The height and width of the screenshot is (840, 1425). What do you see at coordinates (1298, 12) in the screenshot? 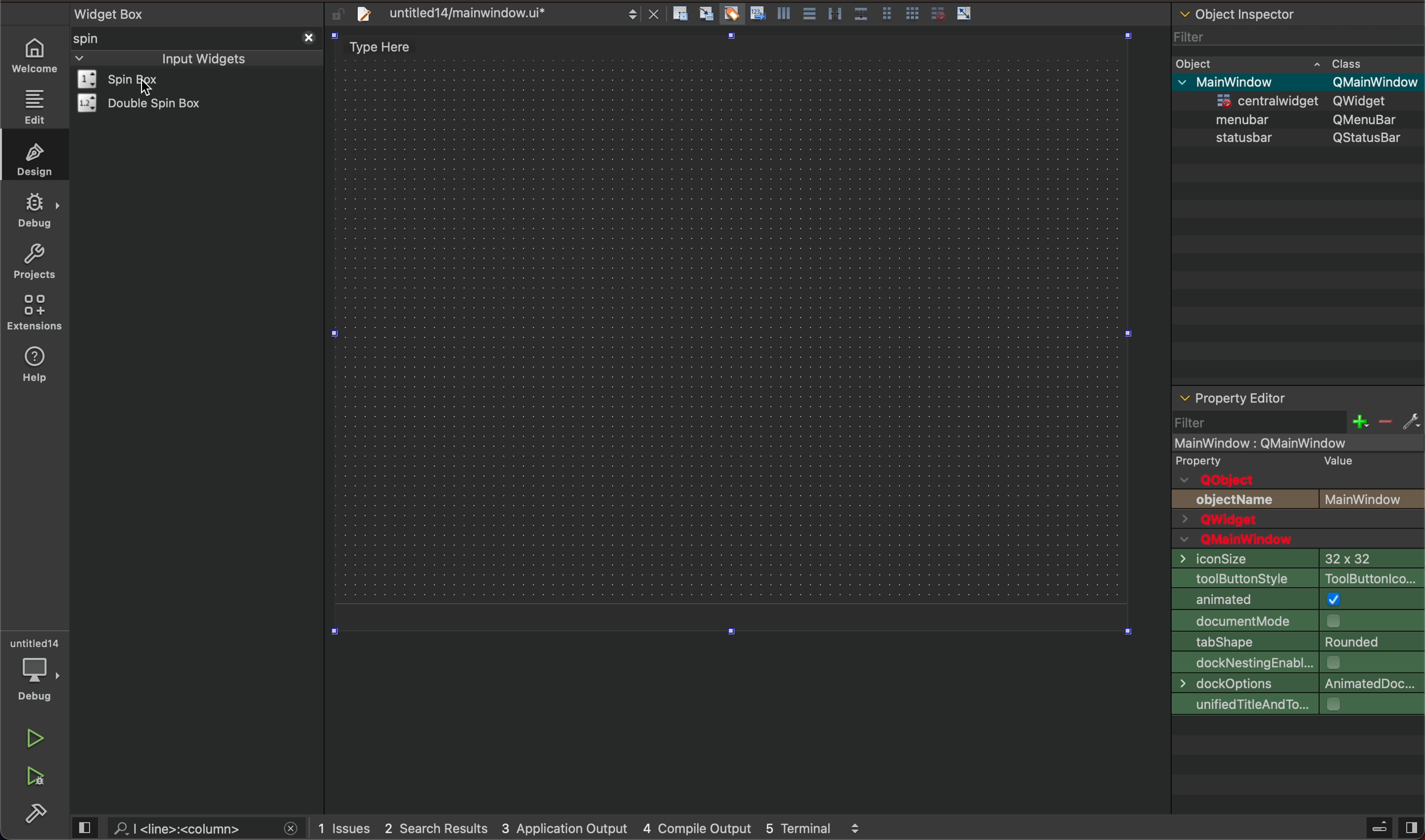
I see `object inspector` at bounding box center [1298, 12].